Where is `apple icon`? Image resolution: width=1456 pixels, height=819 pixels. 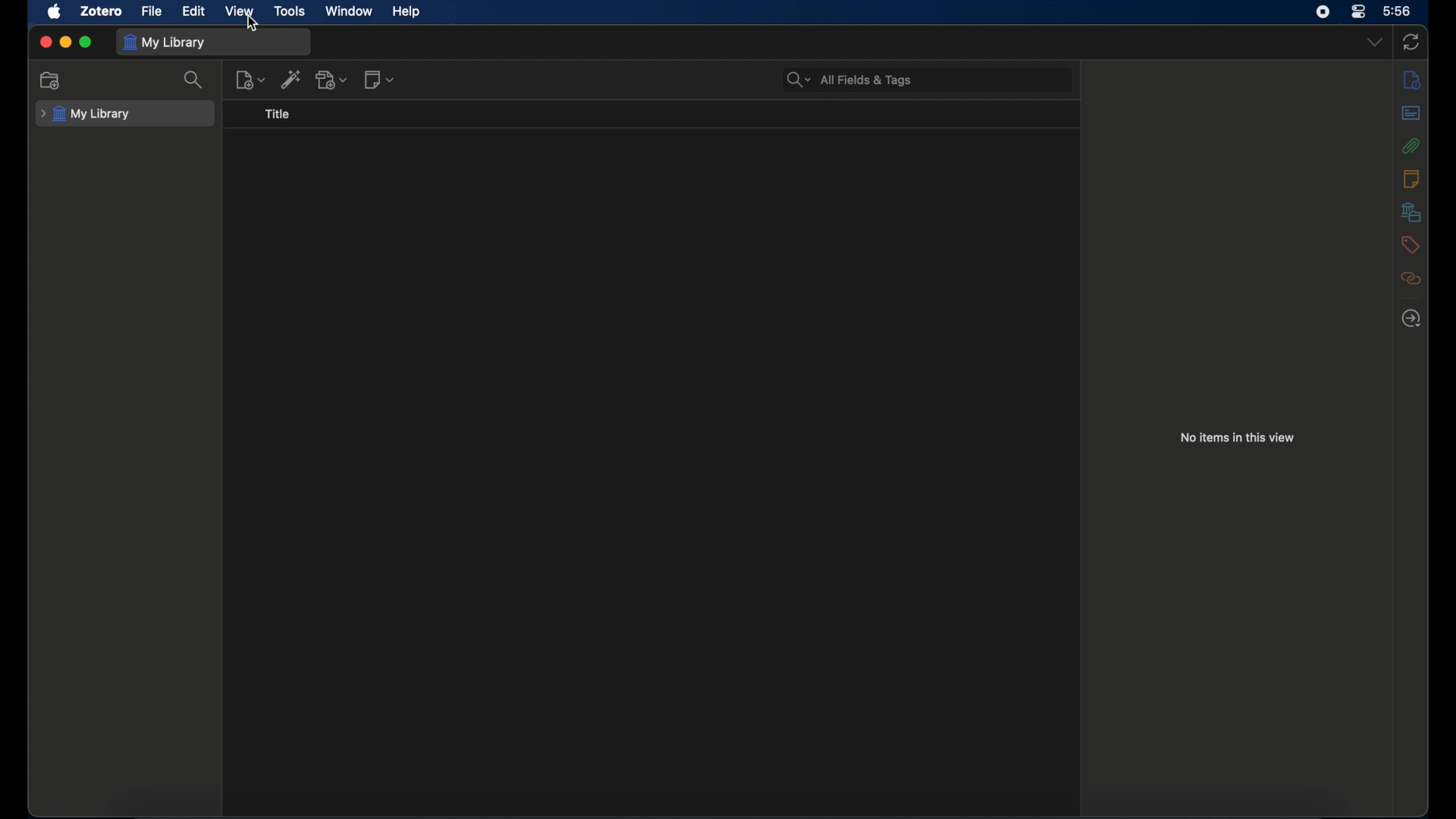 apple icon is located at coordinates (55, 12).